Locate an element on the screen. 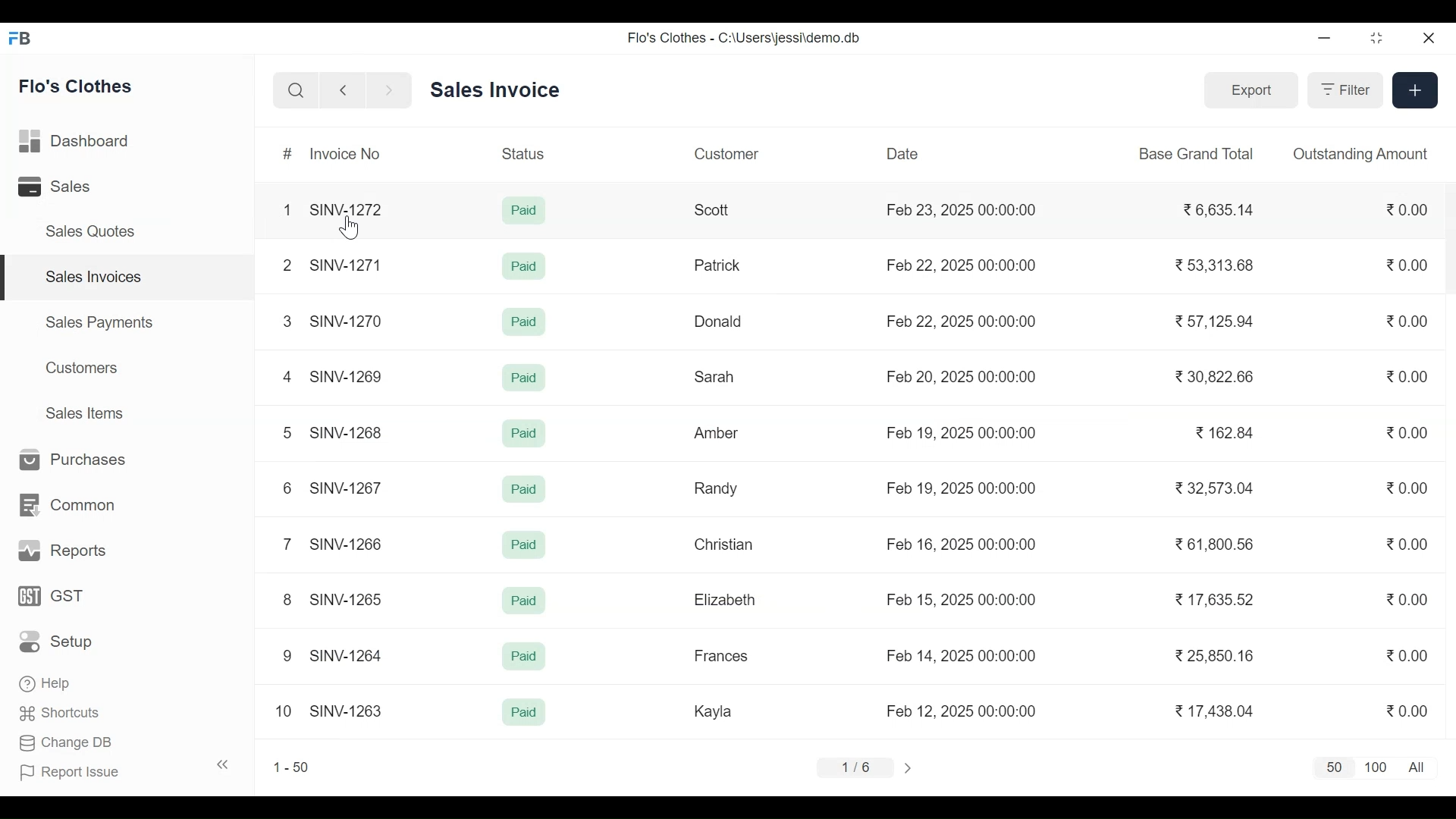 This screenshot has width=1456, height=819. Elizabeth is located at coordinates (726, 600).